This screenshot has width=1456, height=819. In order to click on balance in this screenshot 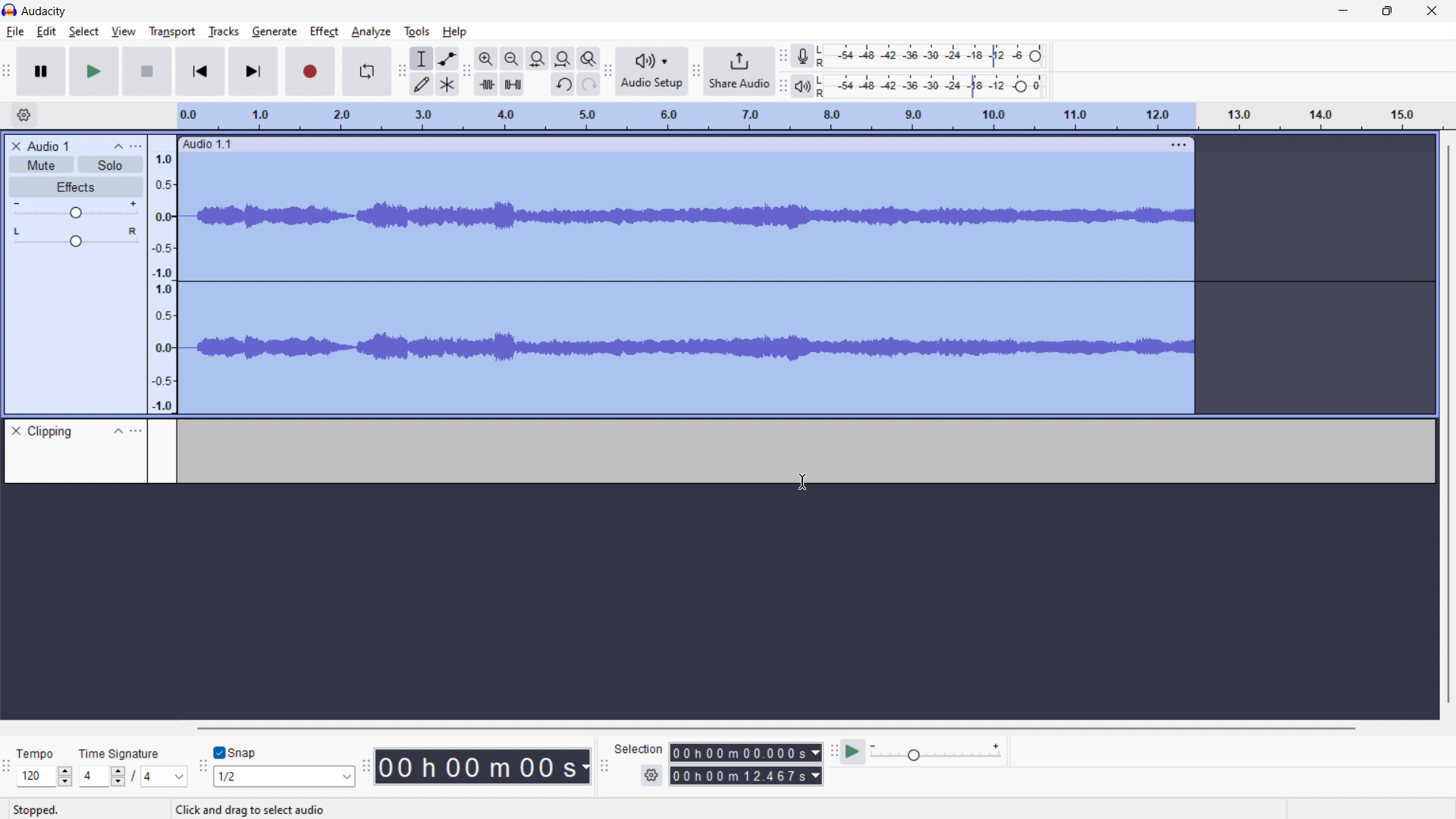, I will do `click(75, 238)`.